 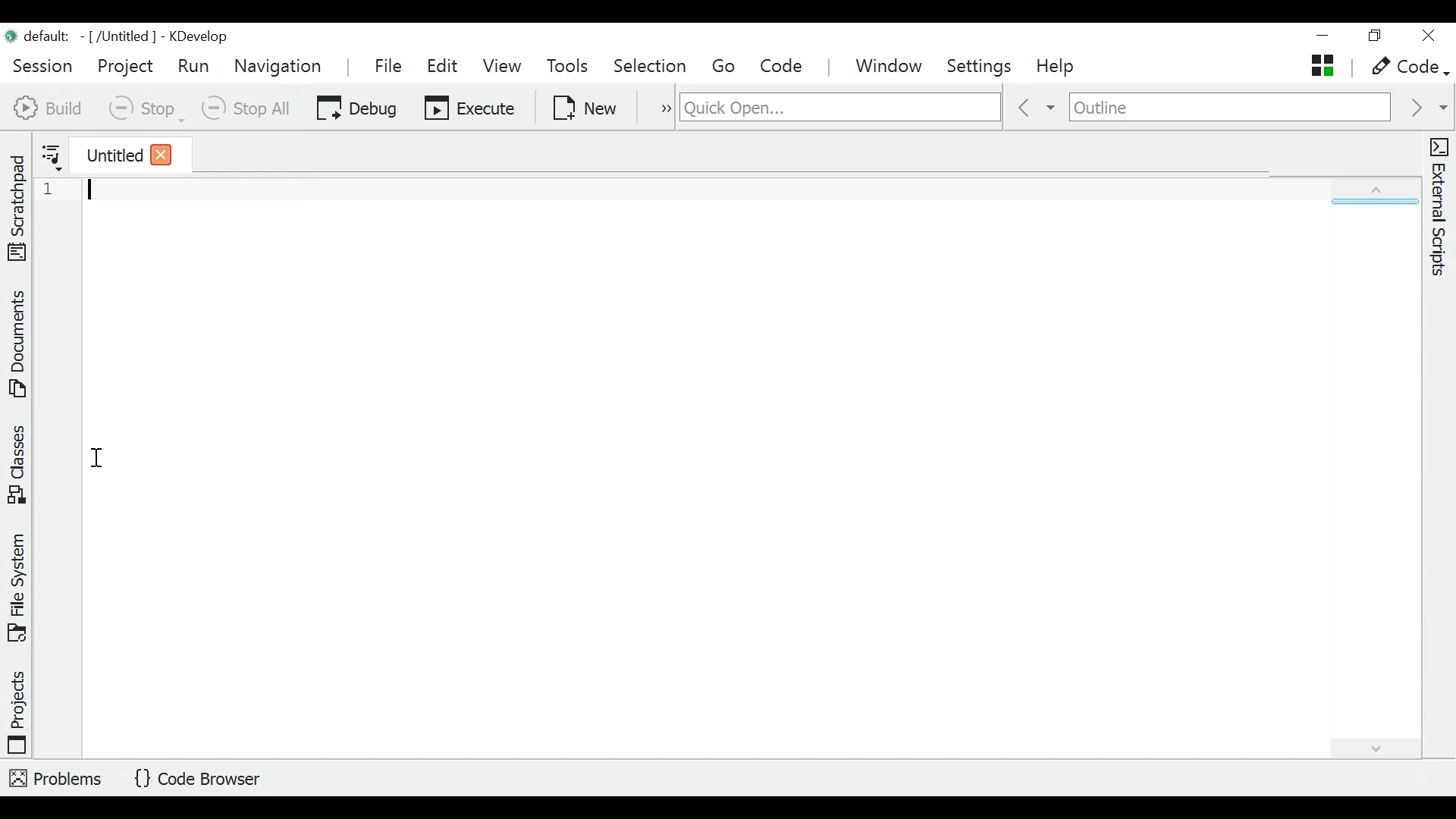 I want to click on File, so click(x=388, y=64).